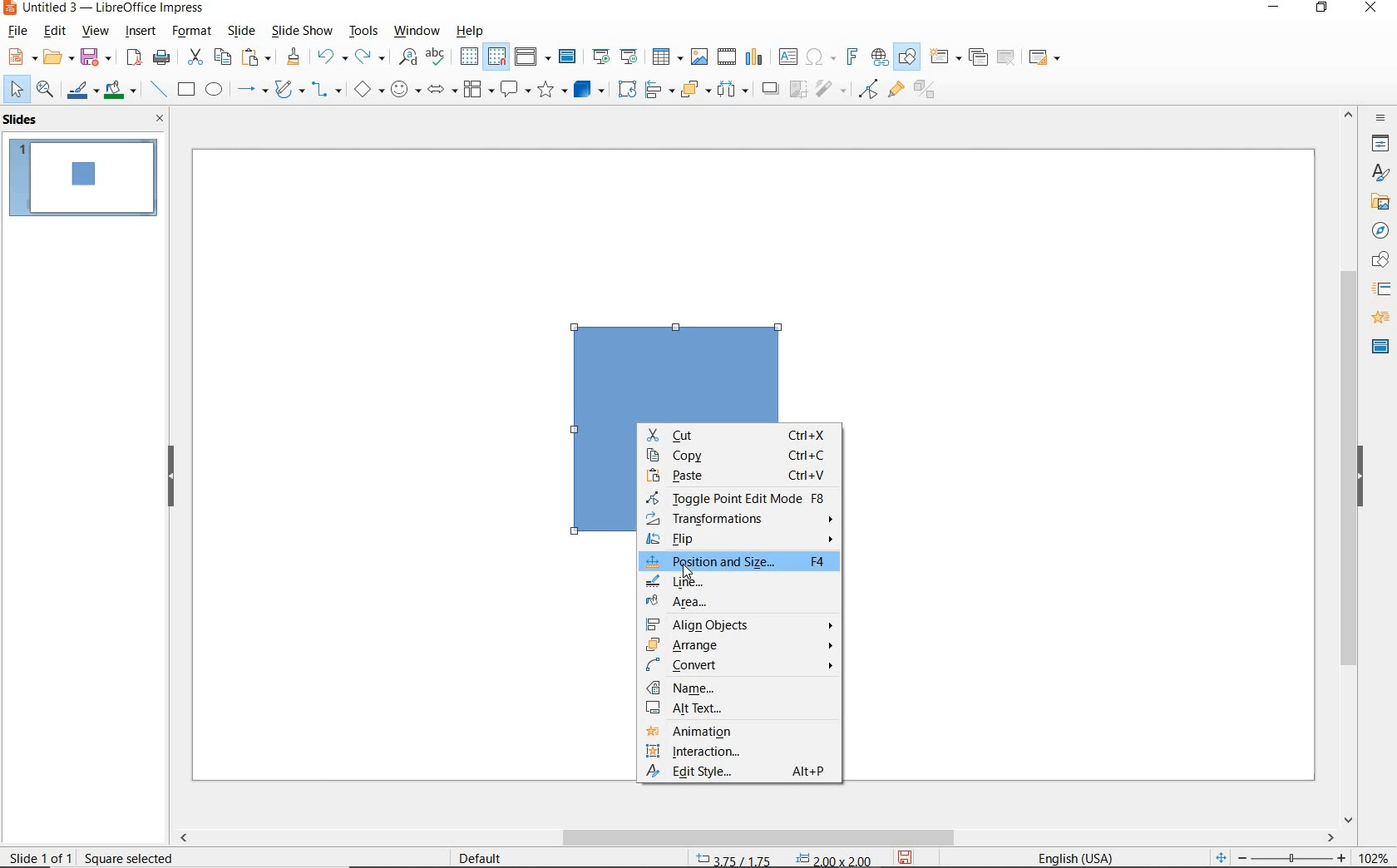  Describe the element at coordinates (143, 32) in the screenshot. I see `insert` at that location.